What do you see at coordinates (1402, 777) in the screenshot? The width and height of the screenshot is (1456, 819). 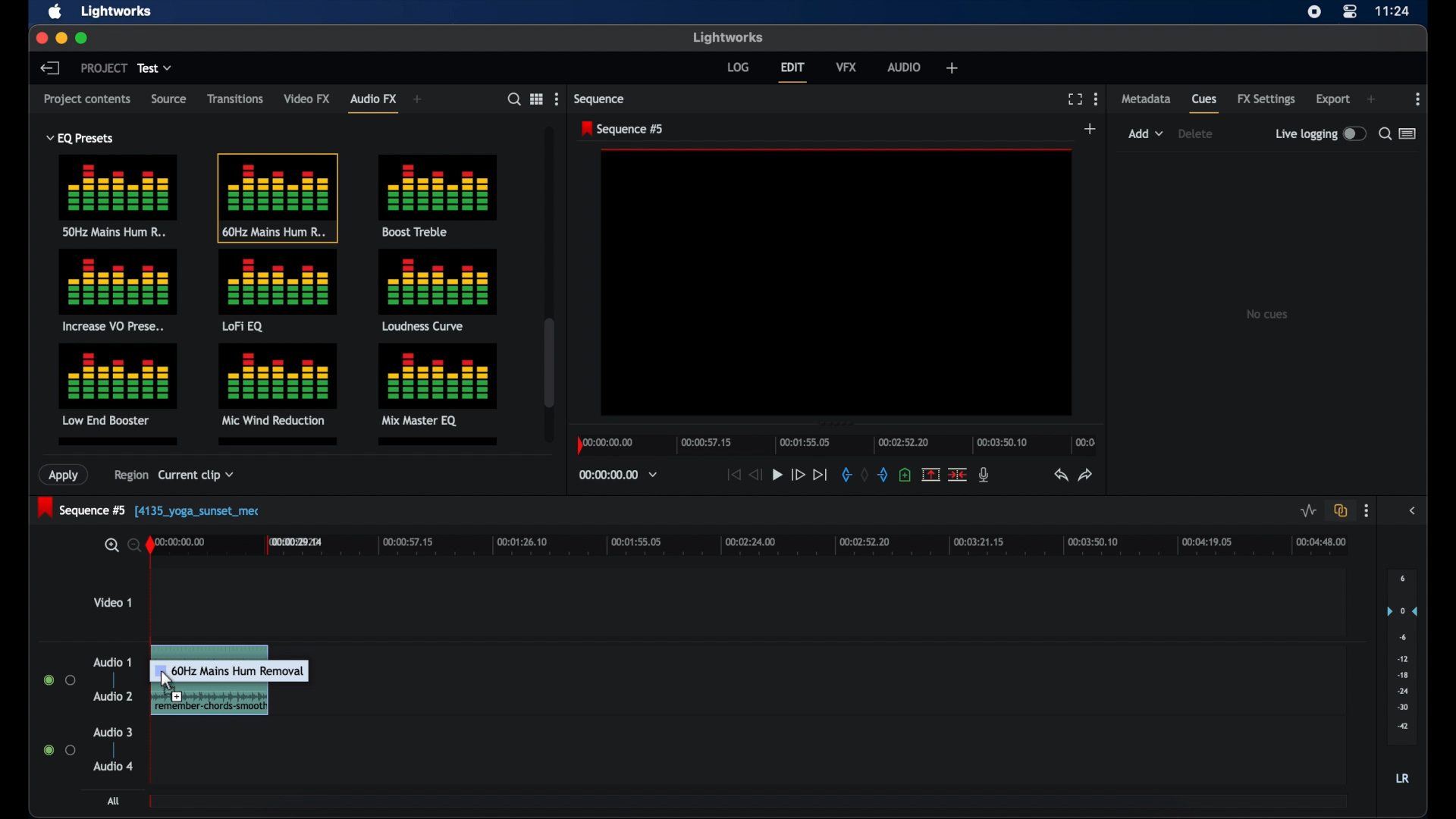 I see `LR` at bounding box center [1402, 777].